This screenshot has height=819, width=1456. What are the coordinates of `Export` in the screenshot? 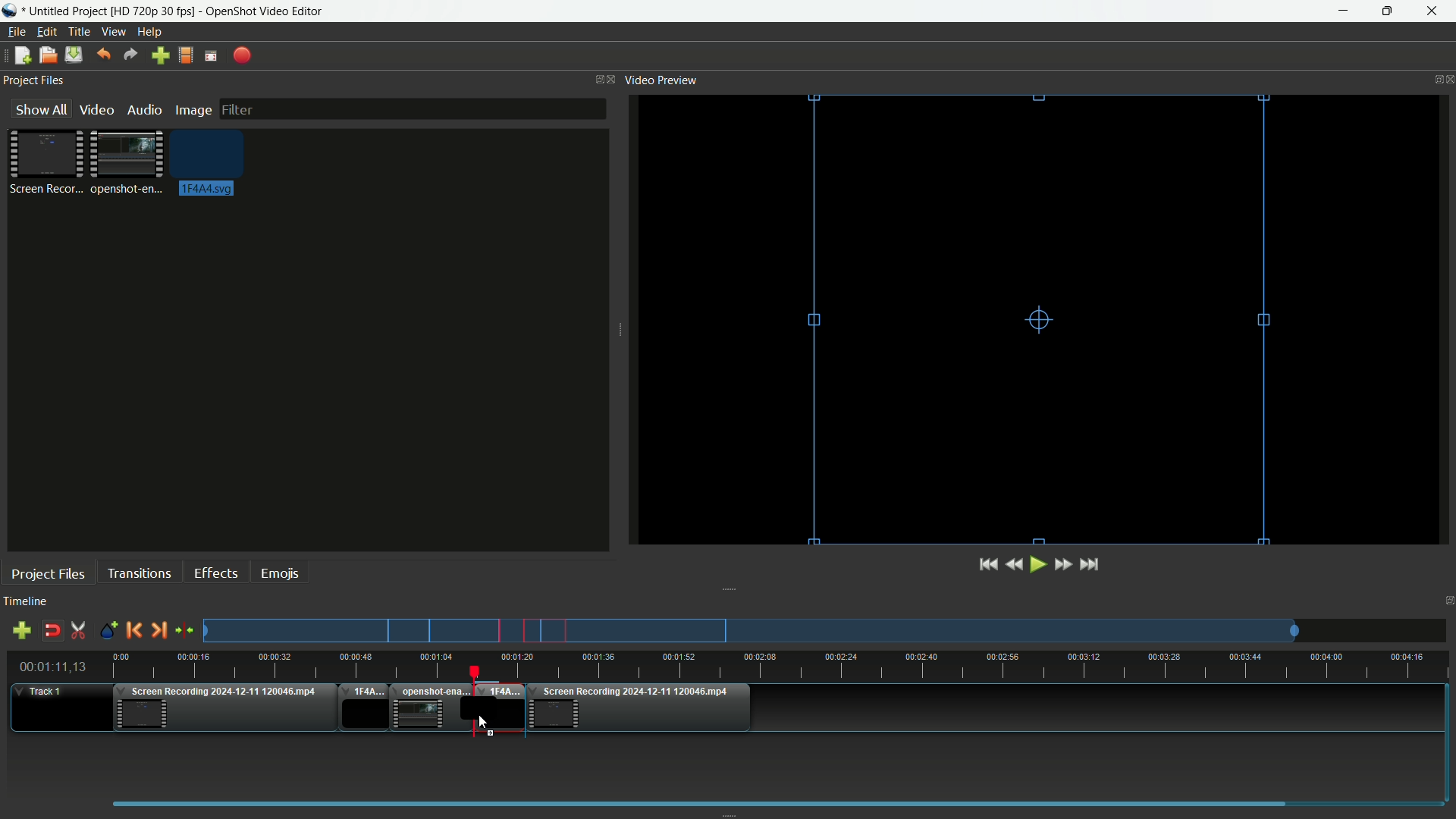 It's located at (243, 56).